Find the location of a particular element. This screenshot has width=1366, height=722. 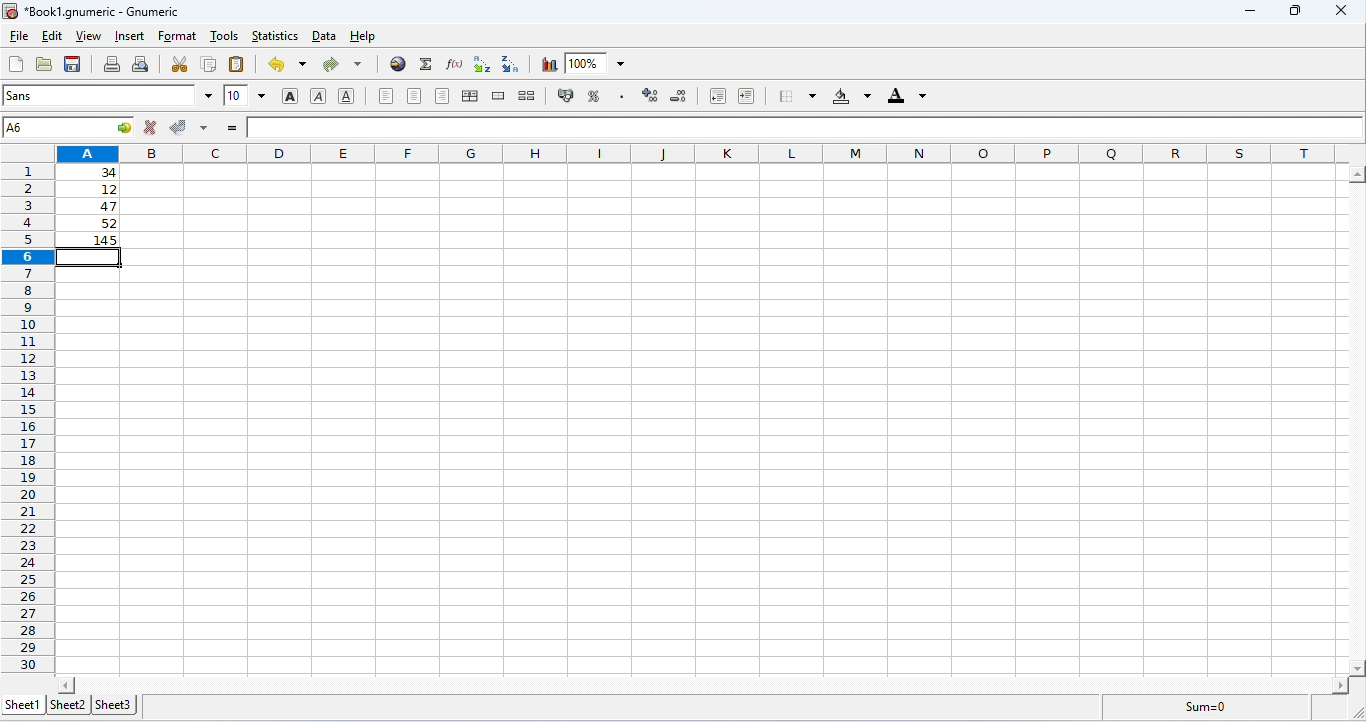

title is located at coordinates (90, 12).